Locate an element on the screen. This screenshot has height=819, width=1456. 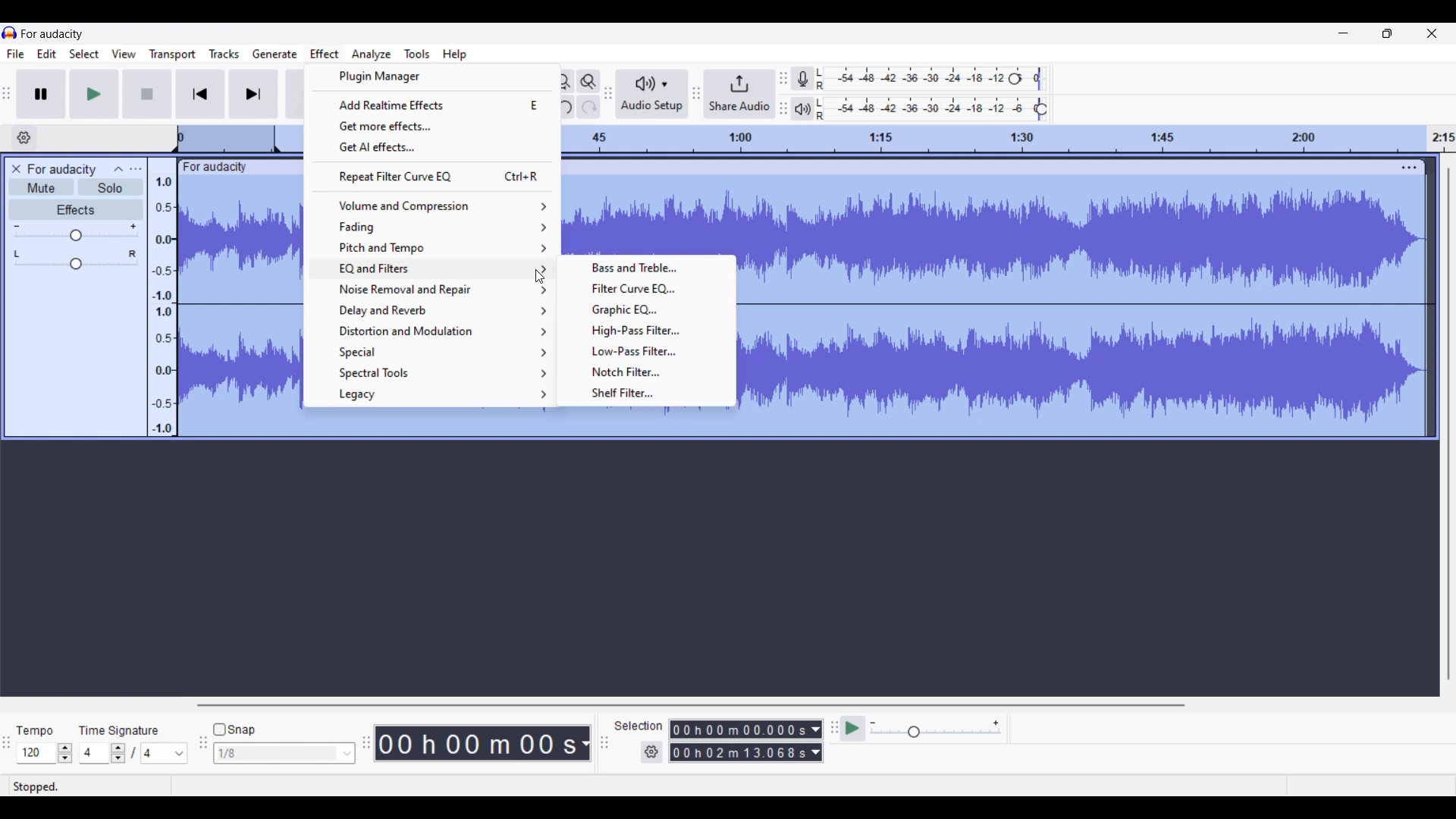
Audio track name is located at coordinates (62, 170).